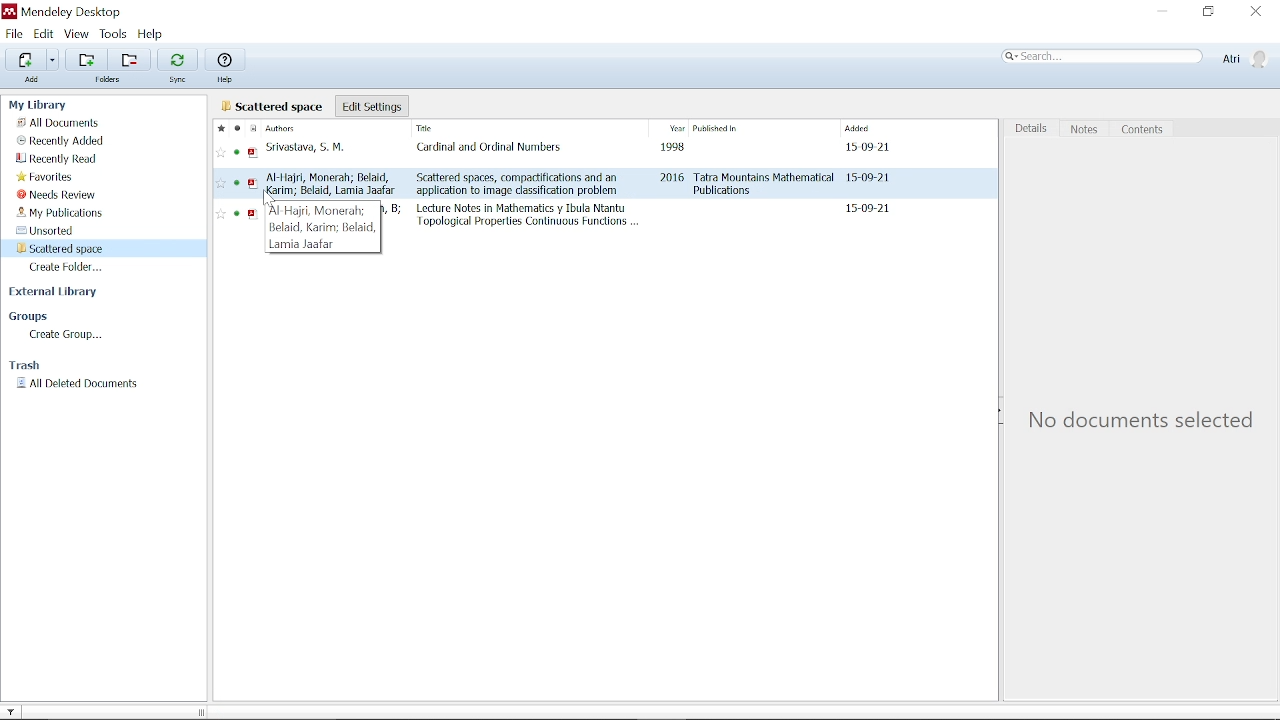 The image size is (1280, 720). What do you see at coordinates (60, 122) in the screenshot?
I see `All documents` at bounding box center [60, 122].